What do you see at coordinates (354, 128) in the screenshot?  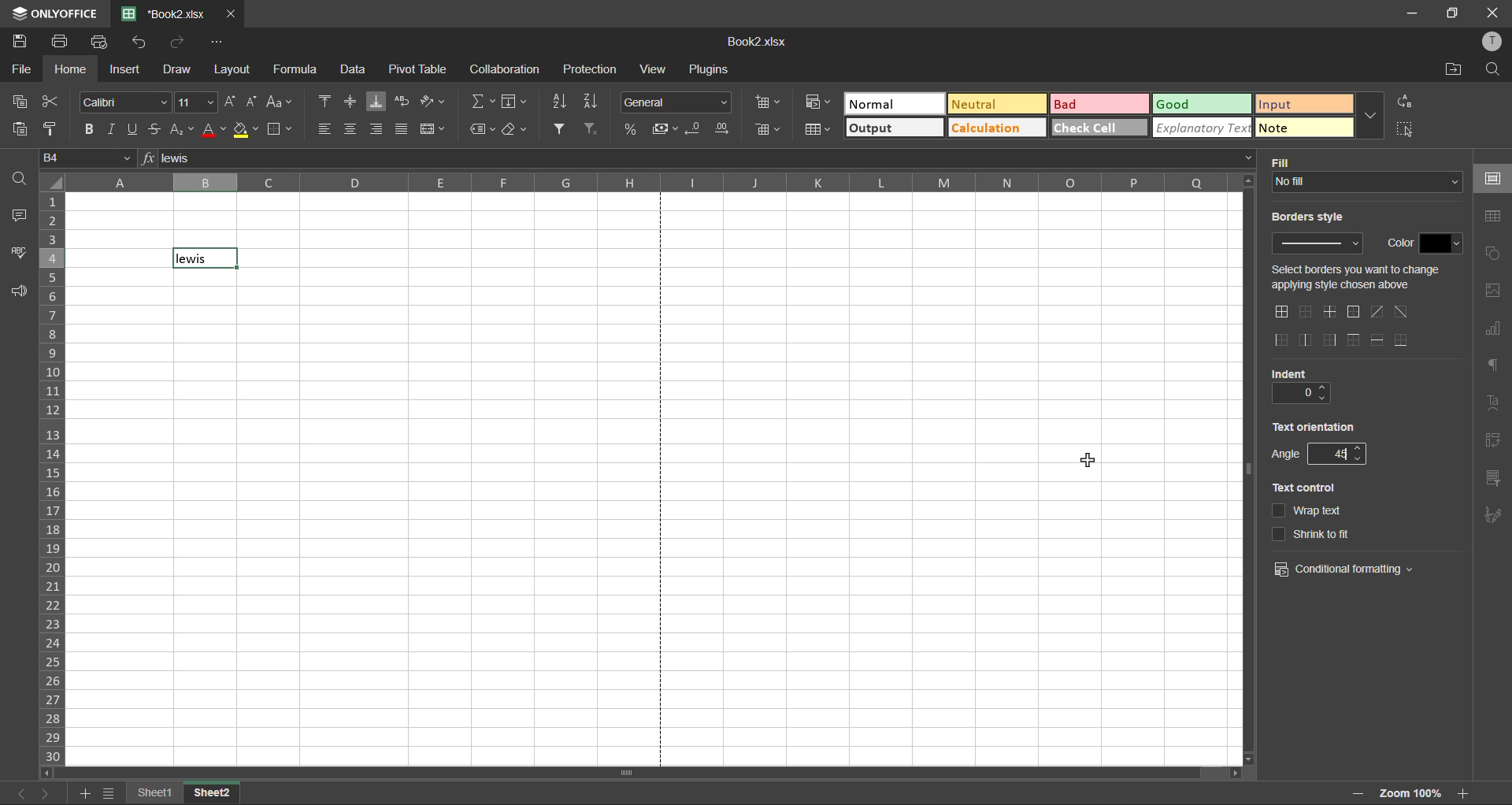 I see `align center` at bounding box center [354, 128].